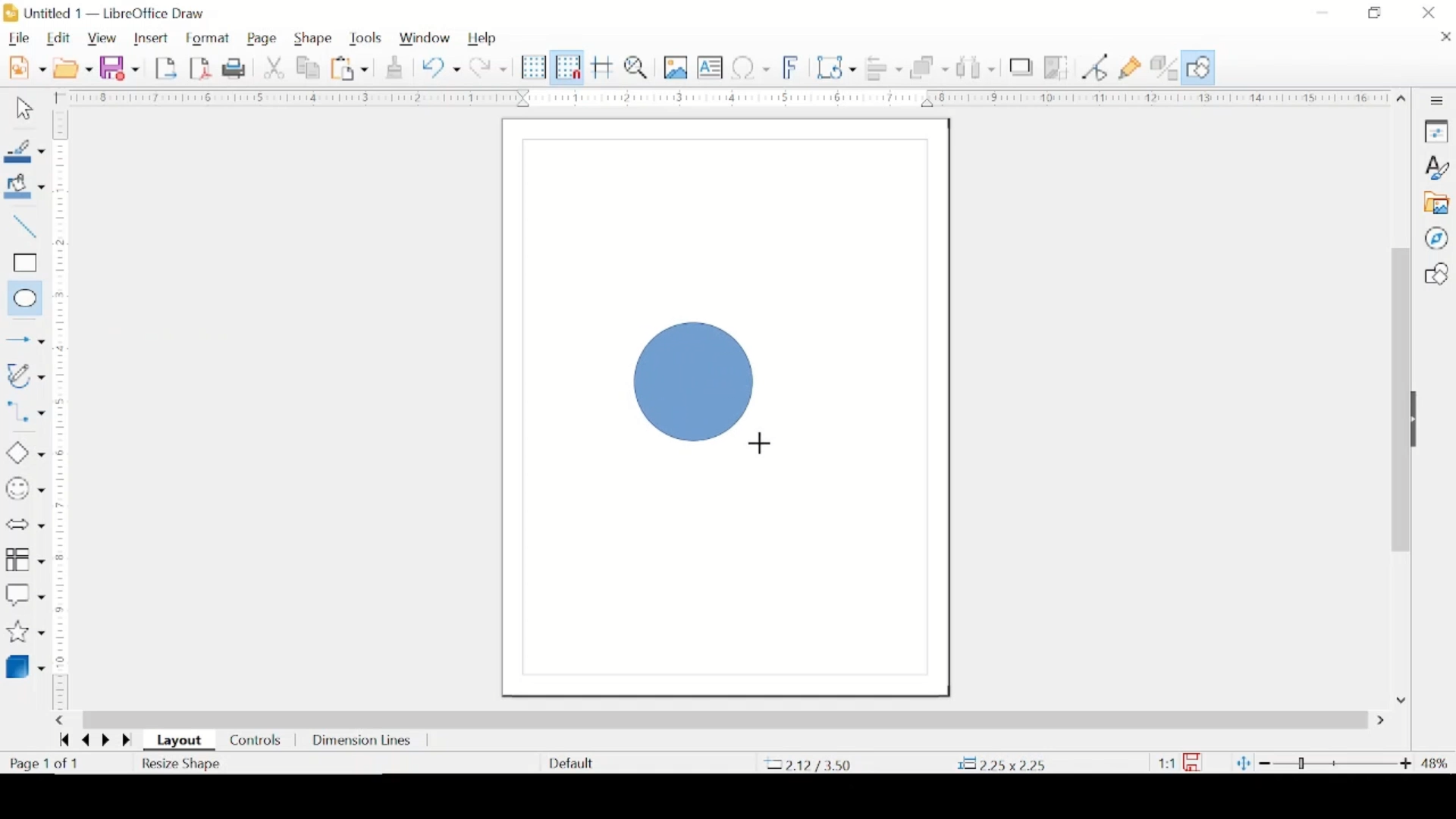 The width and height of the screenshot is (1456, 819). Describe the element at coordinates (25, 593) in the screenshot. I see `callout shapes` at that location.